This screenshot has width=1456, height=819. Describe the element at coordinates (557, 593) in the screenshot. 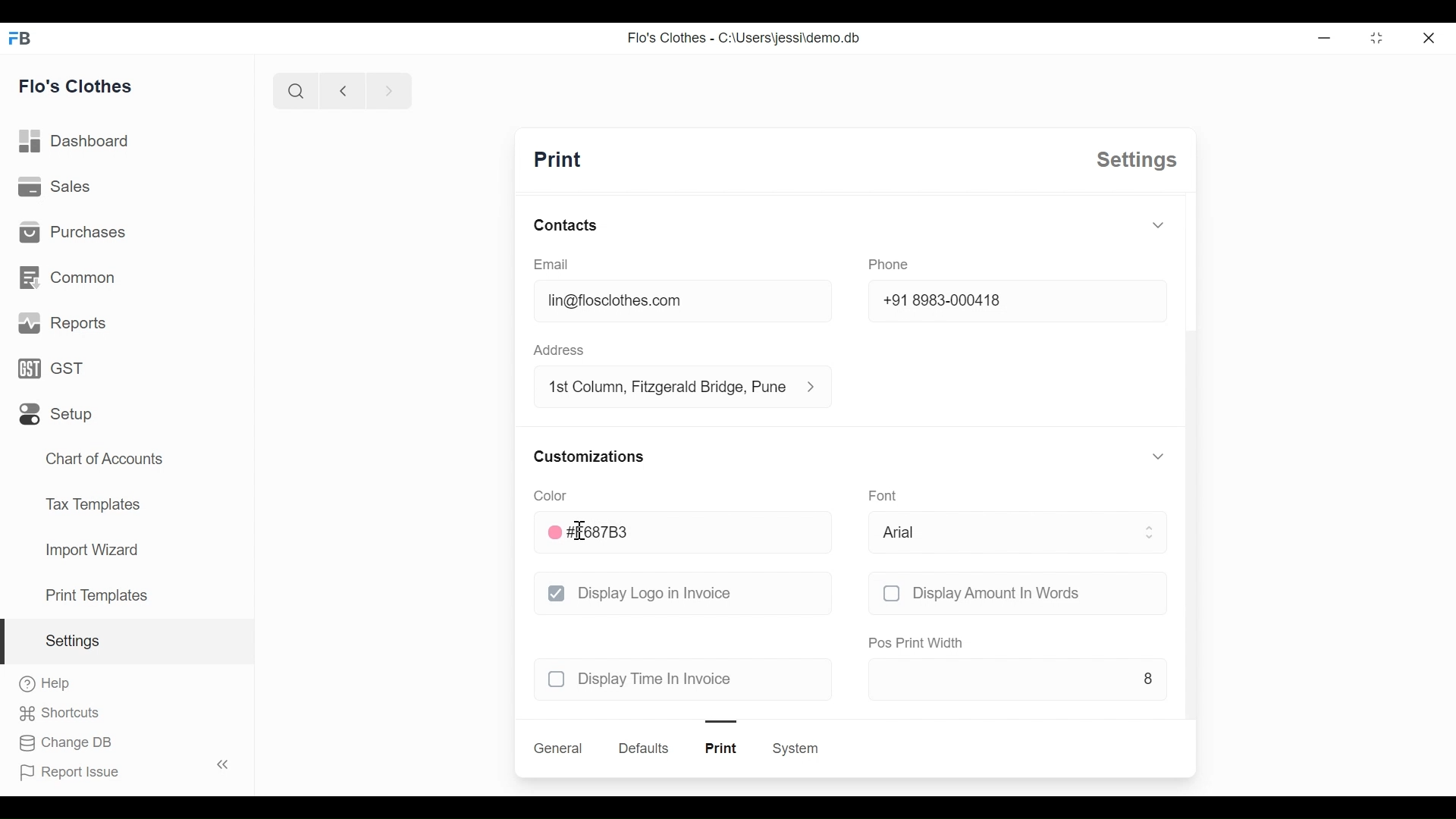

I see `checkbox` at that location.